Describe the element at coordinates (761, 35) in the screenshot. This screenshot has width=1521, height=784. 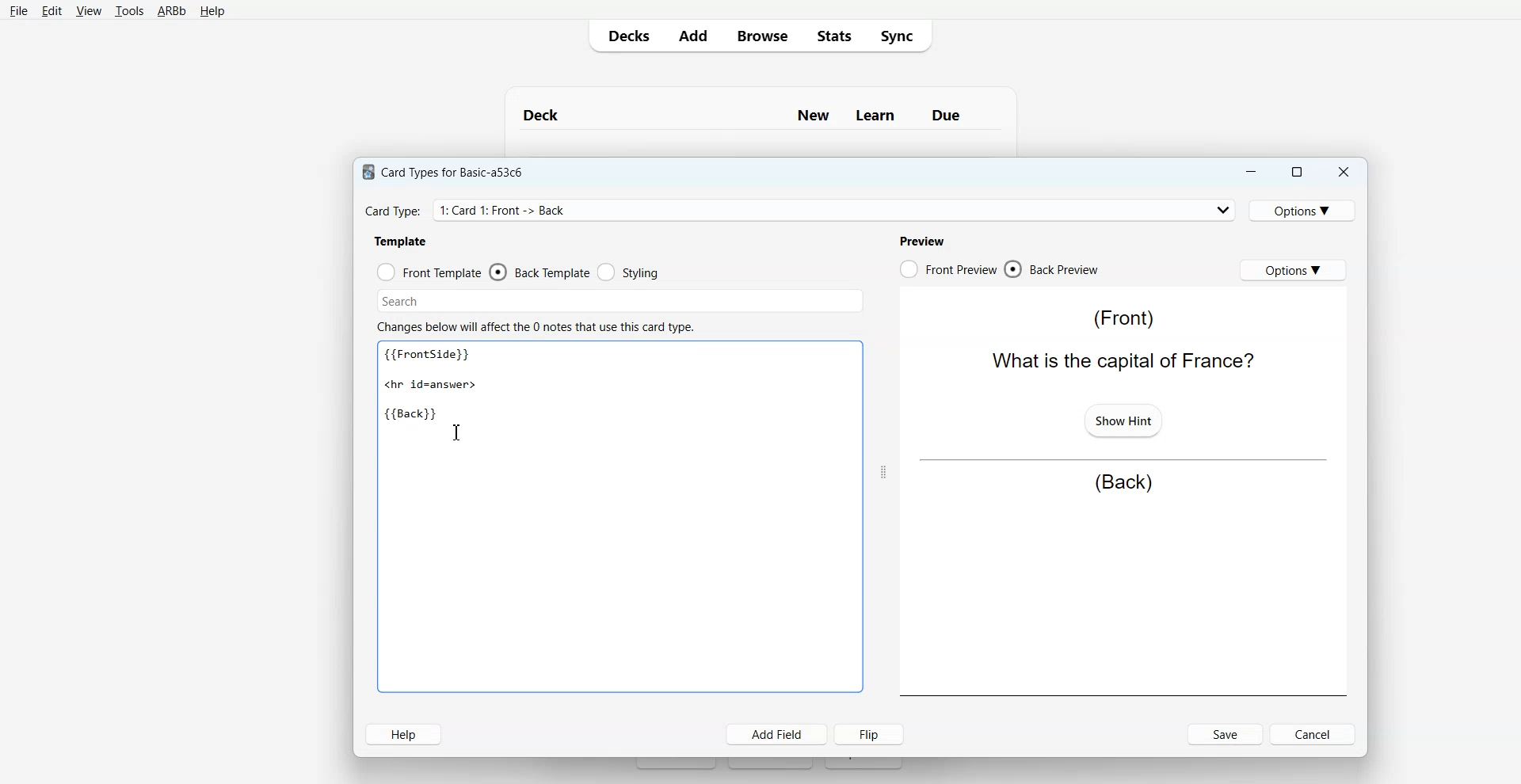
I see `Browse` at that location.